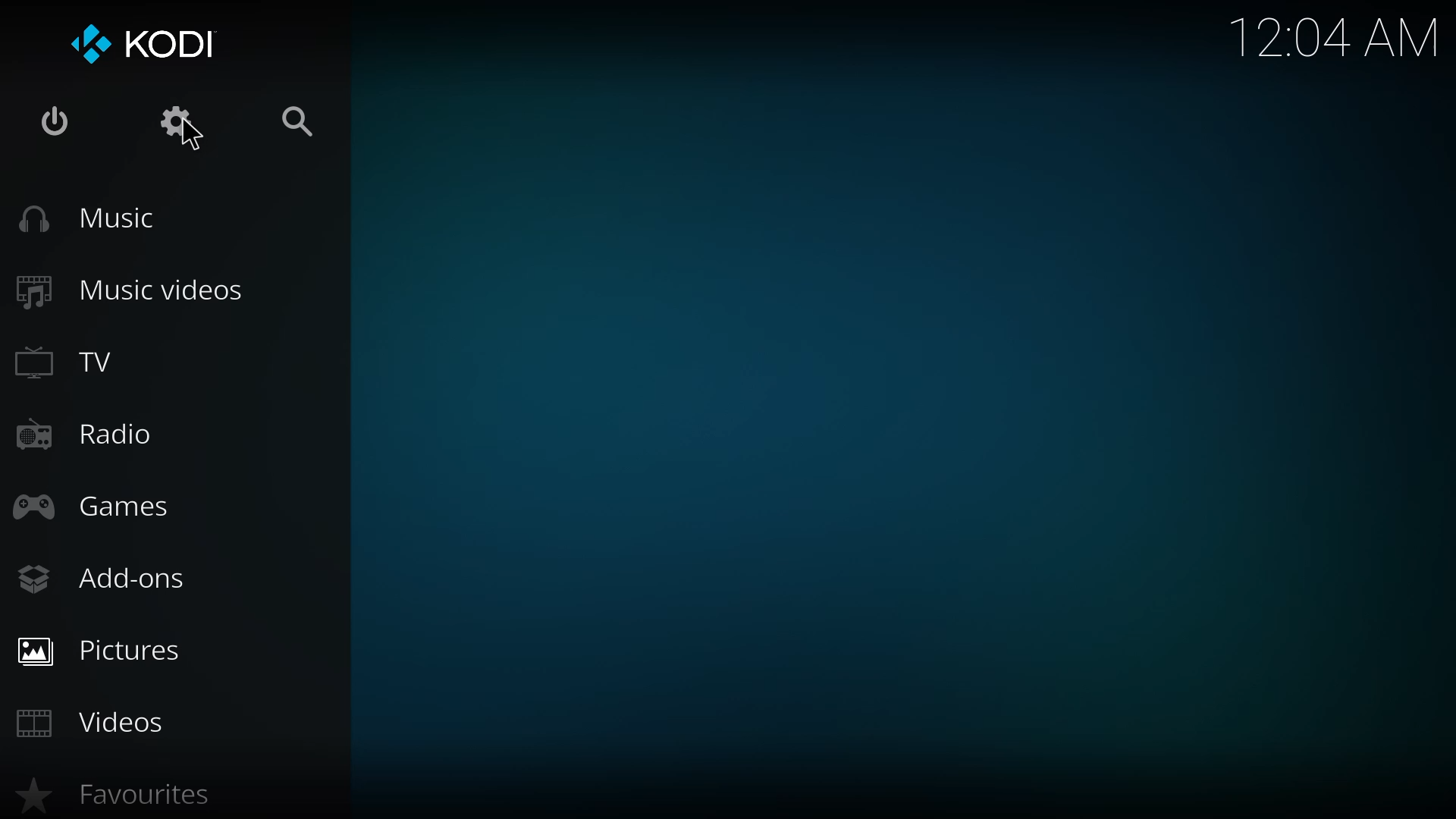 The image size is (1456, 819). Describe the element at coordinates (148, 43) in the screenshot. I see `kodi` at that location.